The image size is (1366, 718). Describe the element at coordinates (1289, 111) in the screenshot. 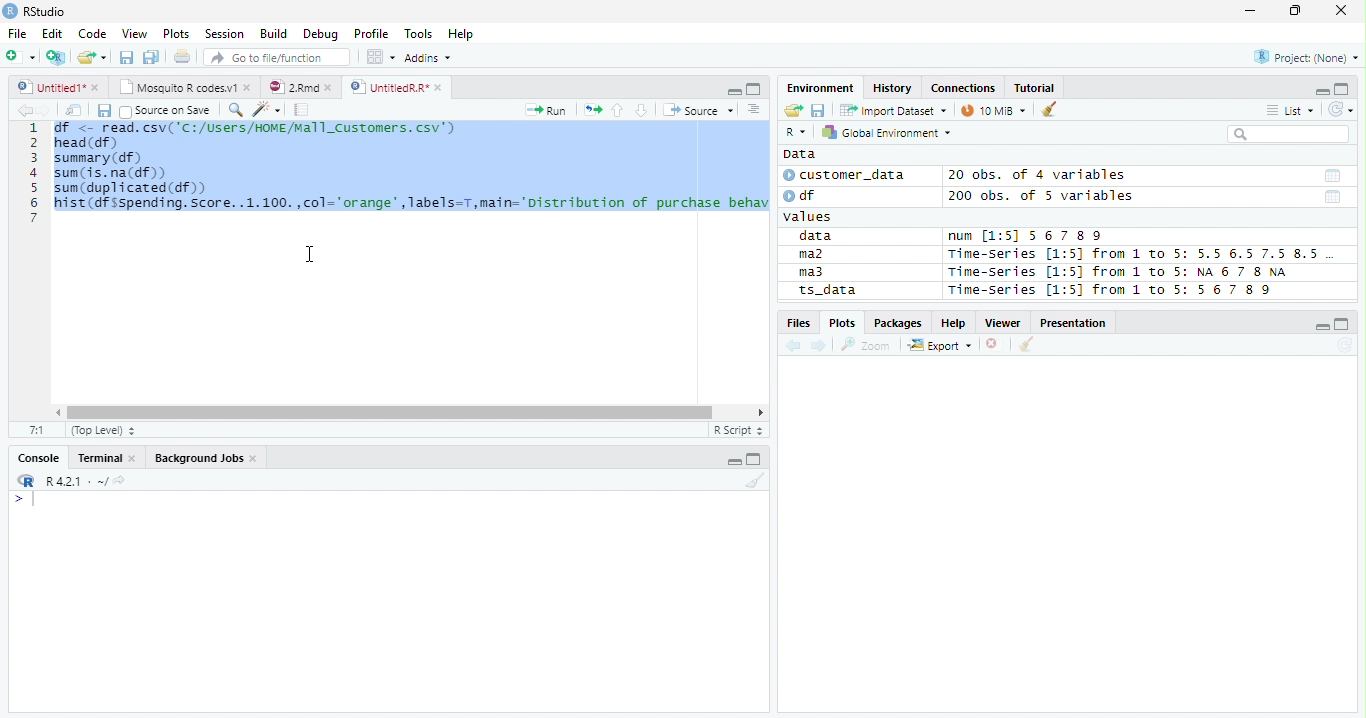

I see `List` at that location.